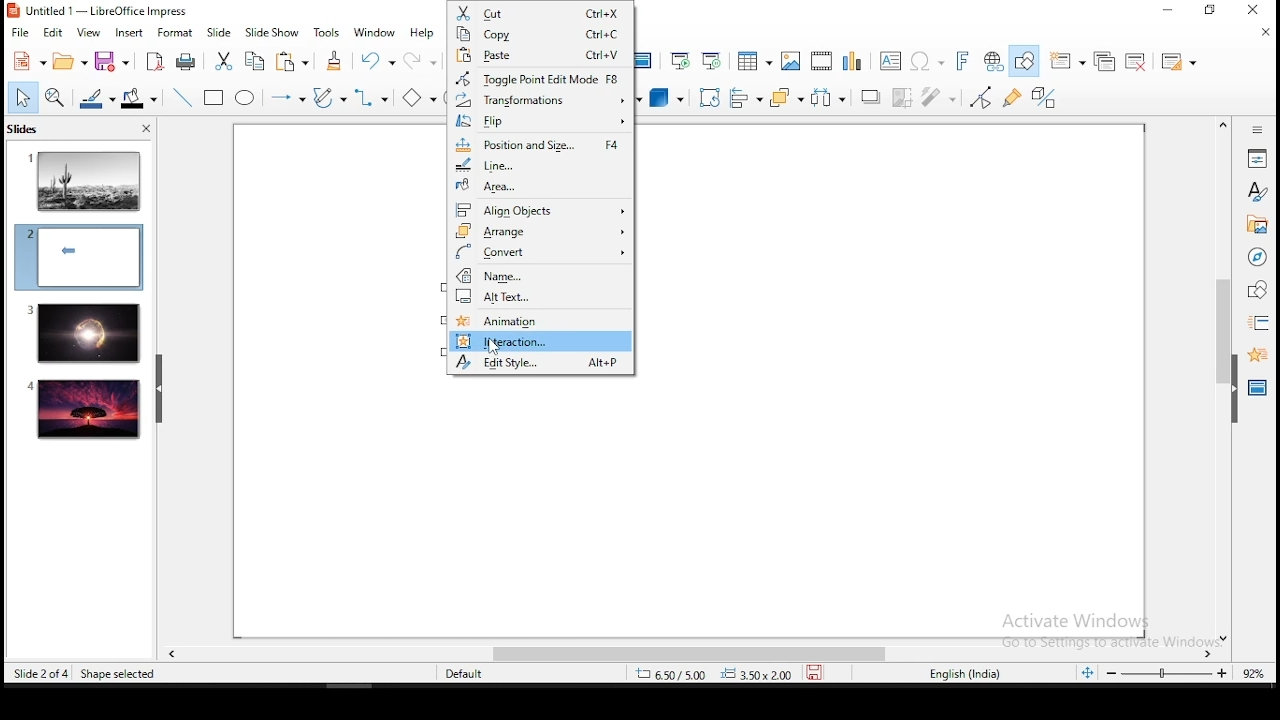 The height and width of the screenshot is (720, 1280). I want to click on select, so click(23, 97).